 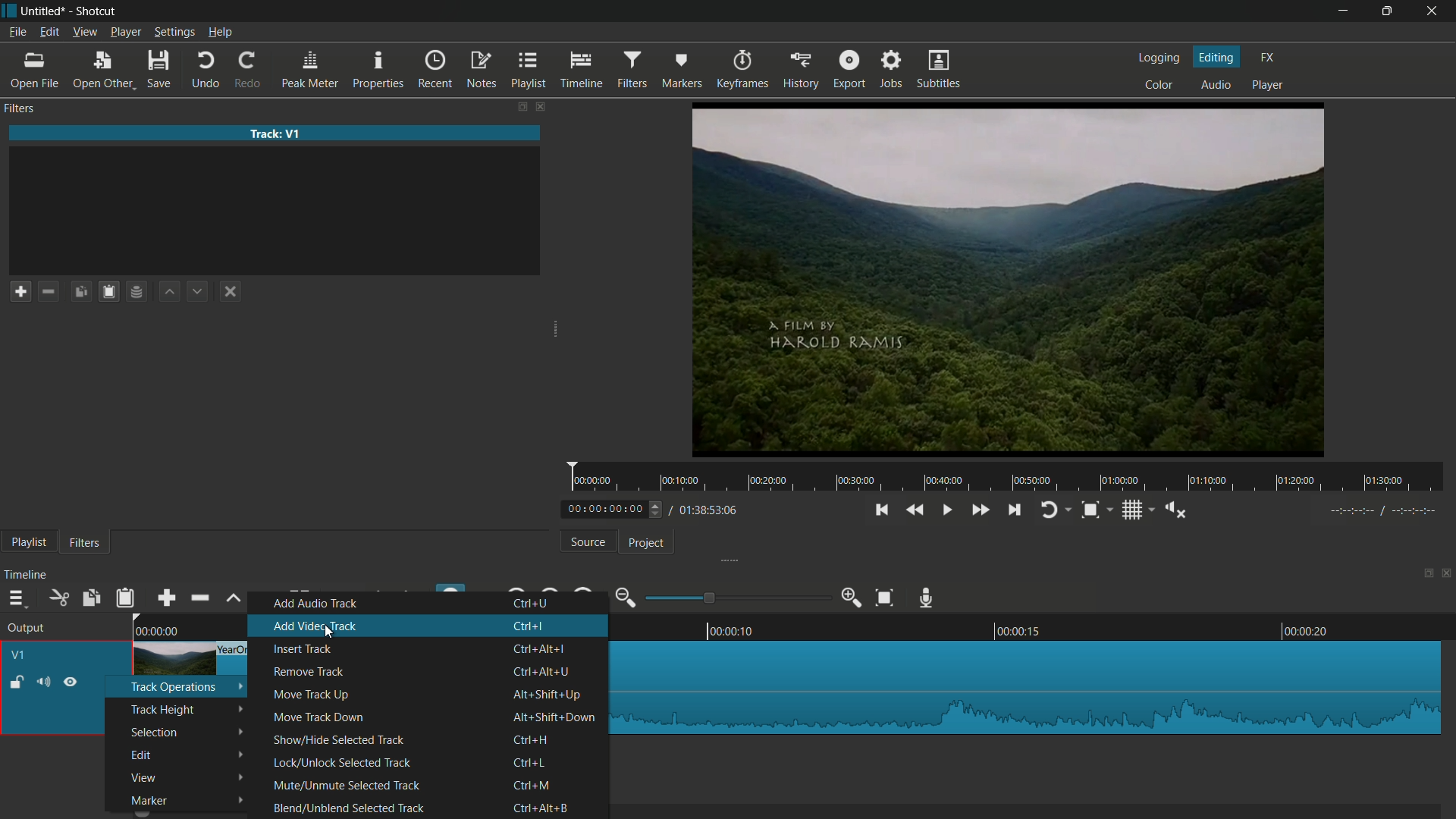 I want to click on move track up, so click(x=312, y=695).